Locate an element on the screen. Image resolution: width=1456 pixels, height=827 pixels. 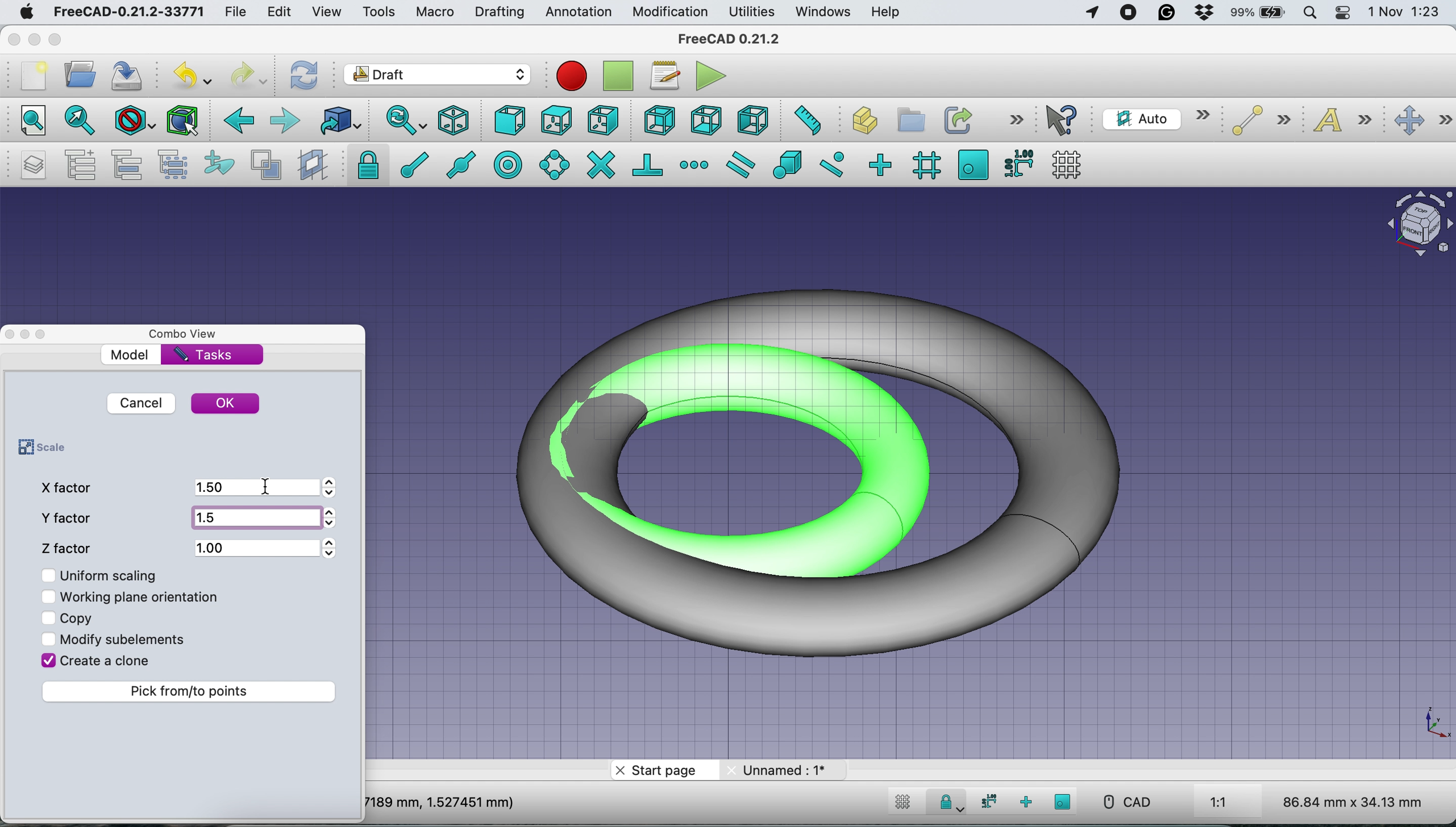
top is located at coordinates (555, 119).